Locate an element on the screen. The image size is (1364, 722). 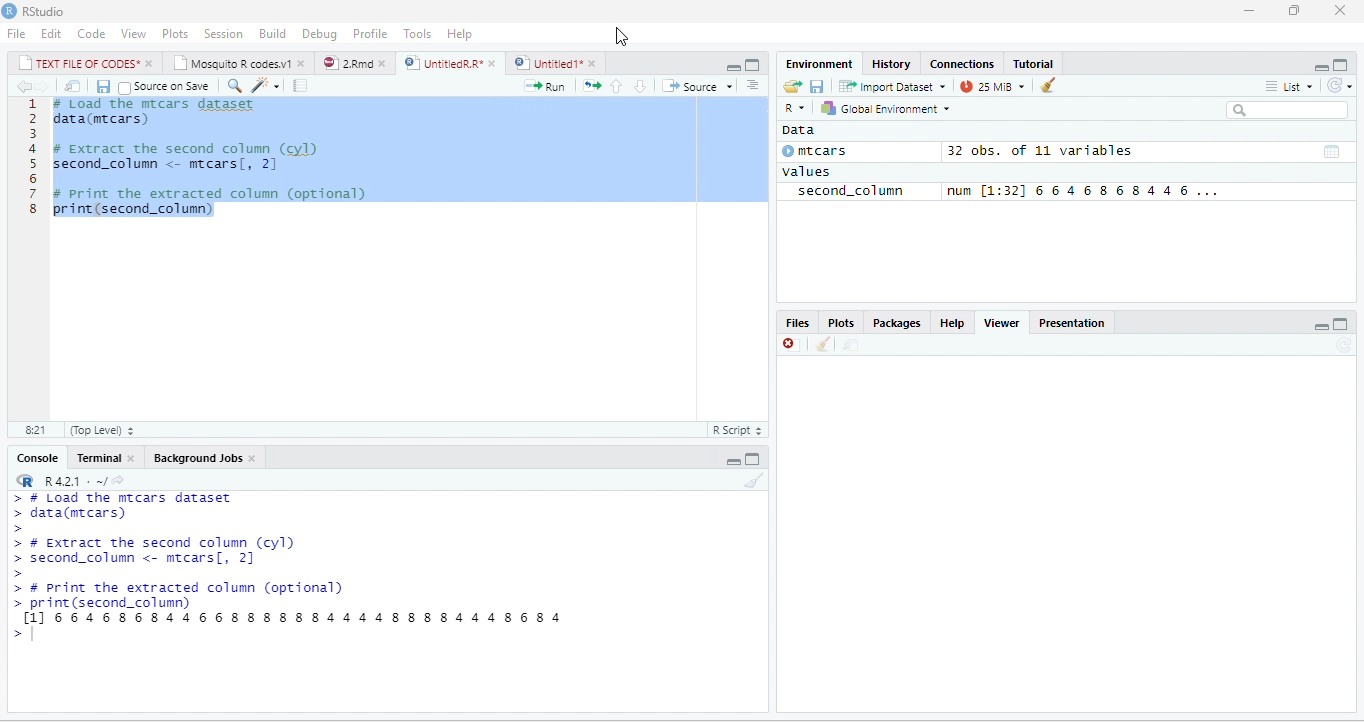
run the current line or selection is located at coordinates (544, 85).